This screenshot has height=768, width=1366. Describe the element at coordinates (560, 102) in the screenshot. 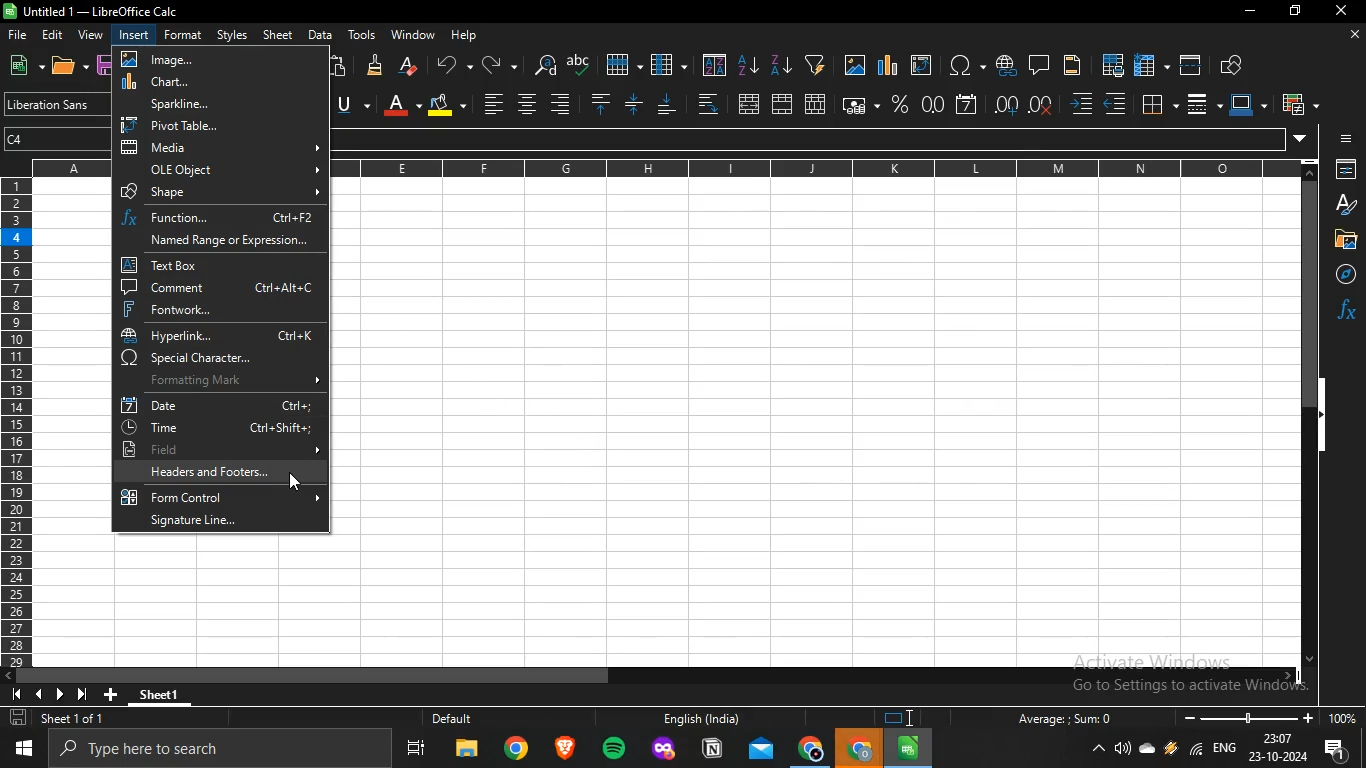

I see `align left` at that location.